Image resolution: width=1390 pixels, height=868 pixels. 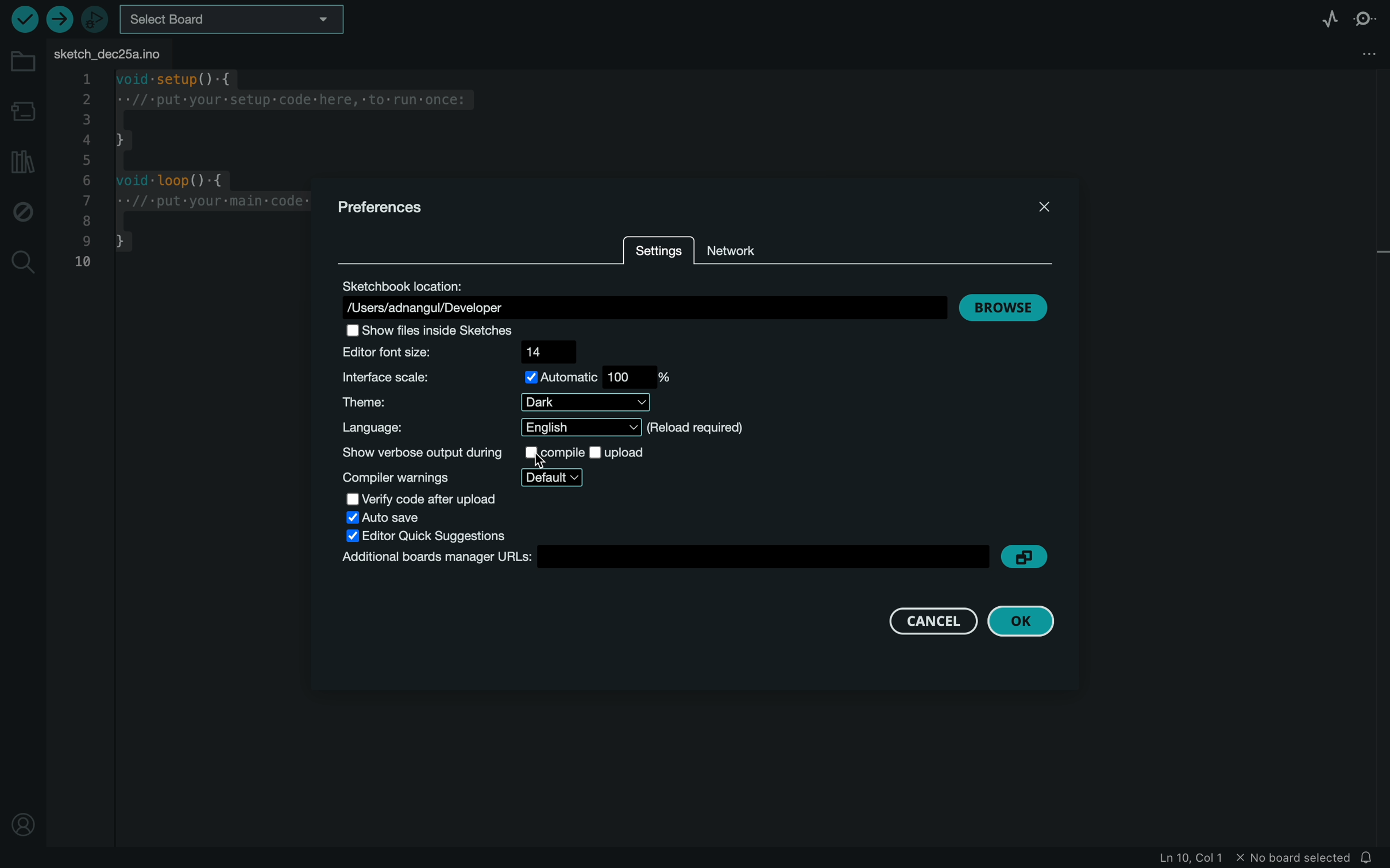 What do you see at coordinates (1366, 17) in the screenshot?
I see `serial  monitor` at bounding box center [1366, 17].